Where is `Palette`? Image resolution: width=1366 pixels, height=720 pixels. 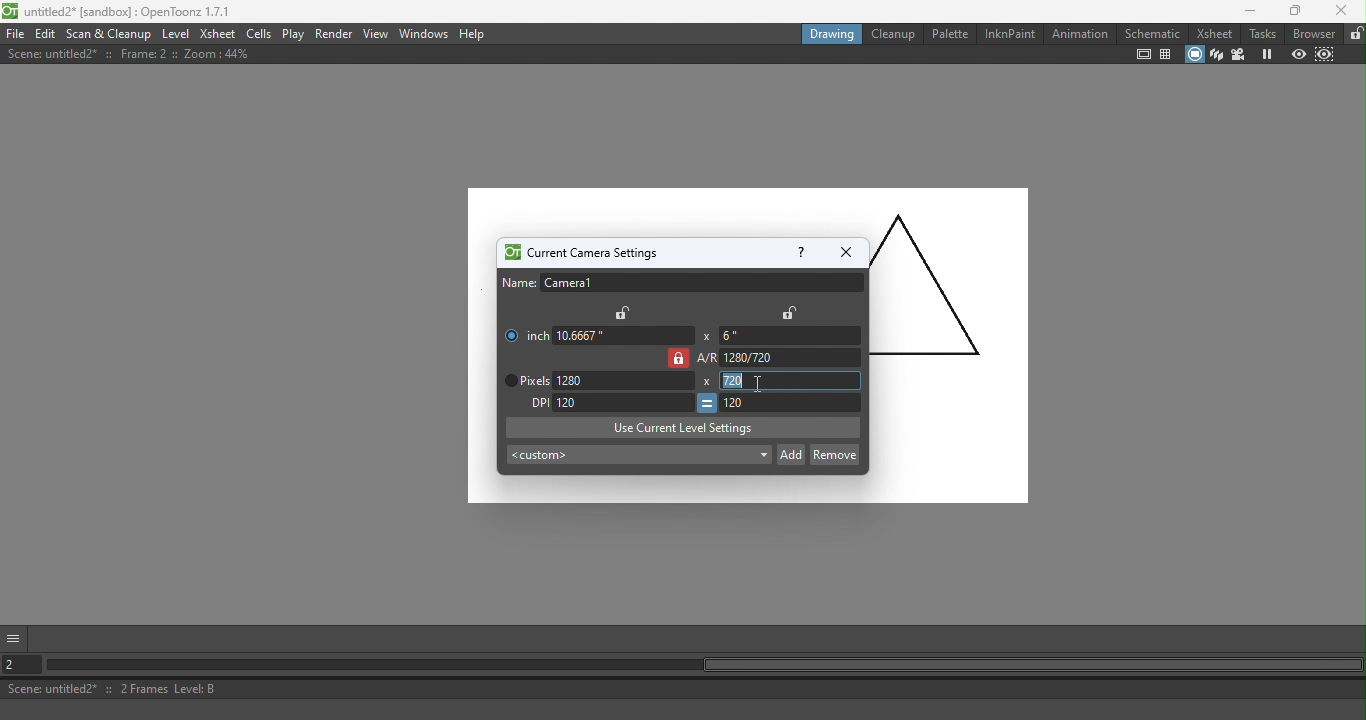 Palette is located at coordinates (948, 34).